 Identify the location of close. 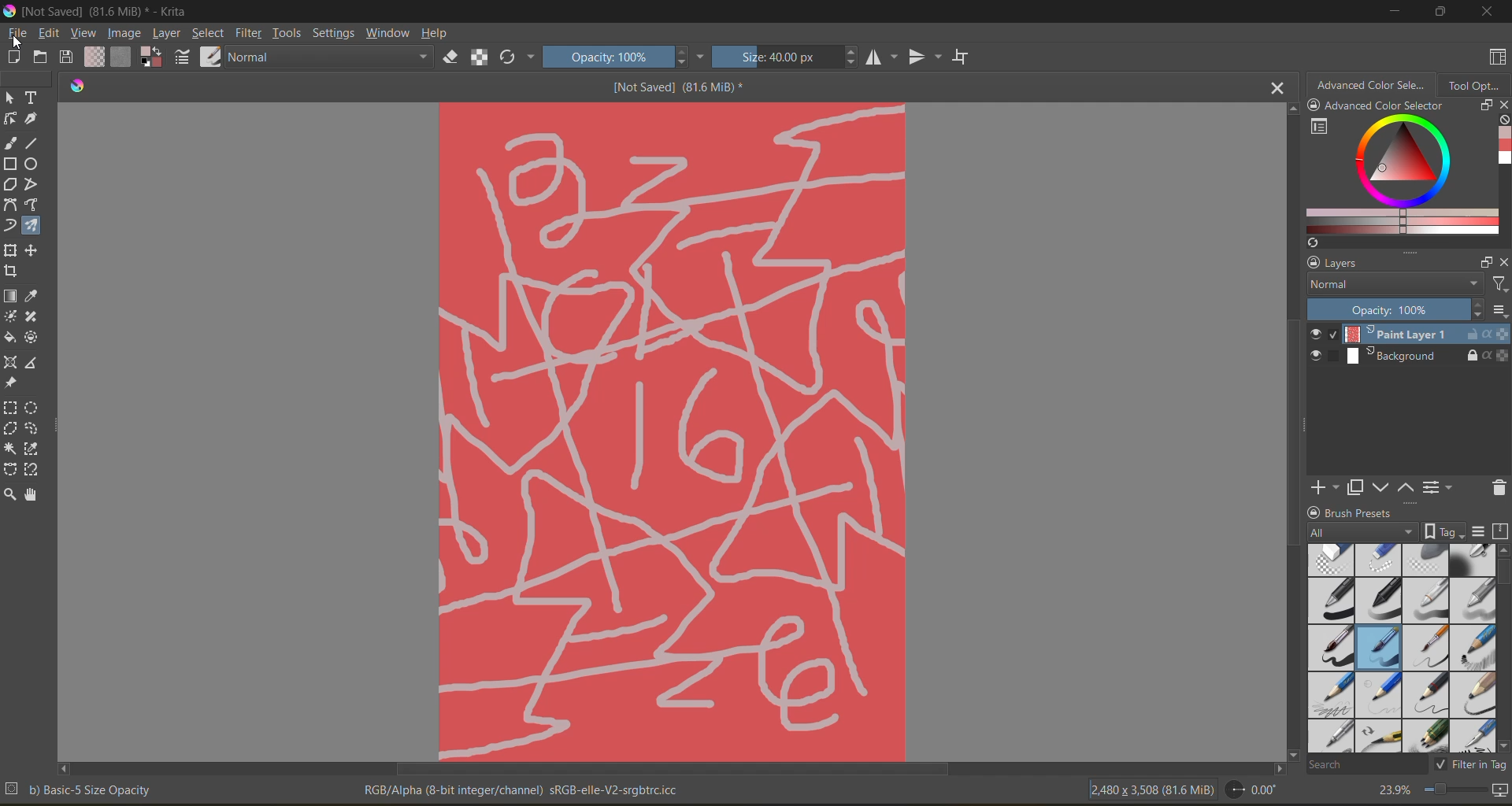
(1488, 11).